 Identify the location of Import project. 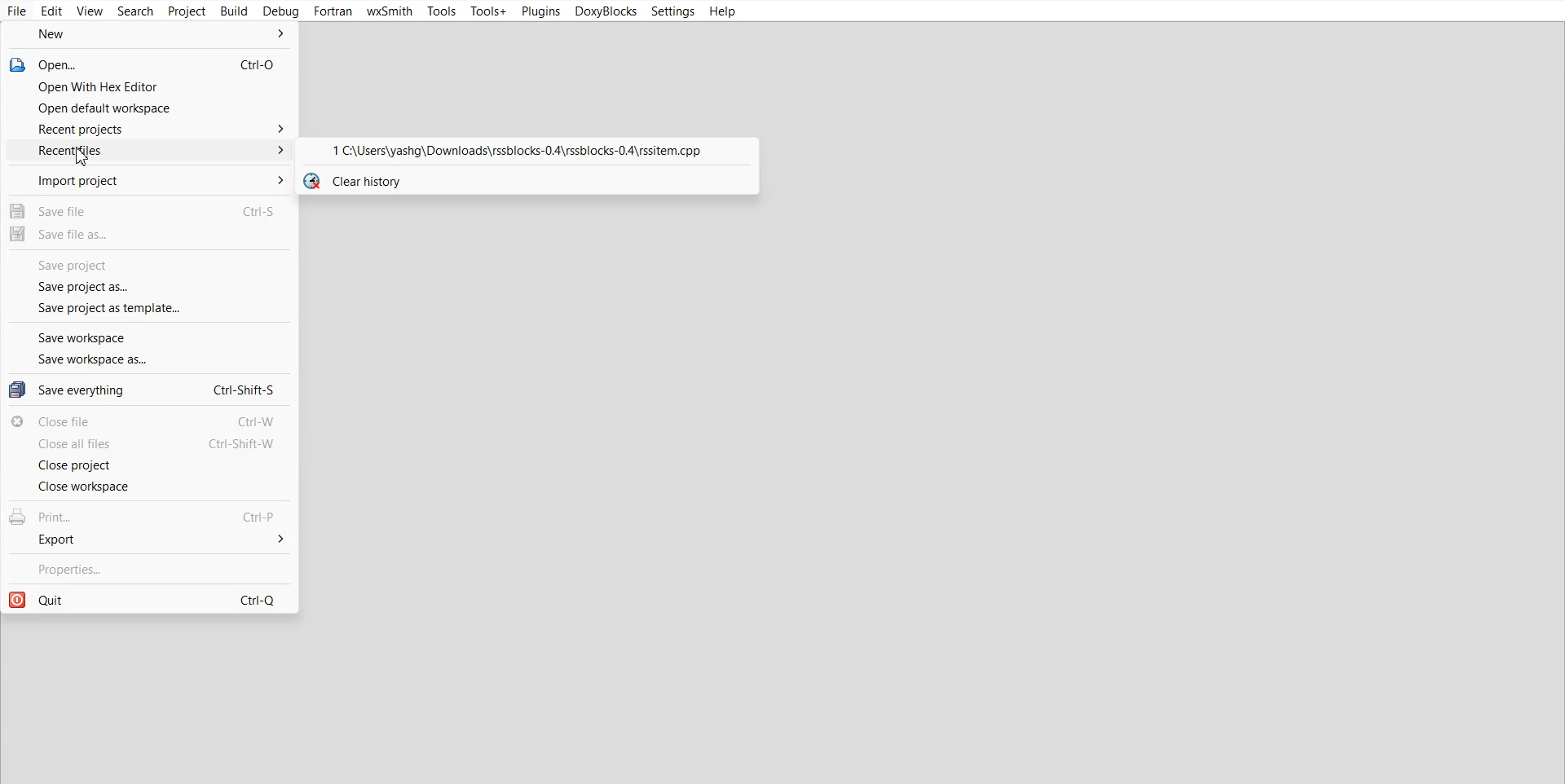
(148, 179).